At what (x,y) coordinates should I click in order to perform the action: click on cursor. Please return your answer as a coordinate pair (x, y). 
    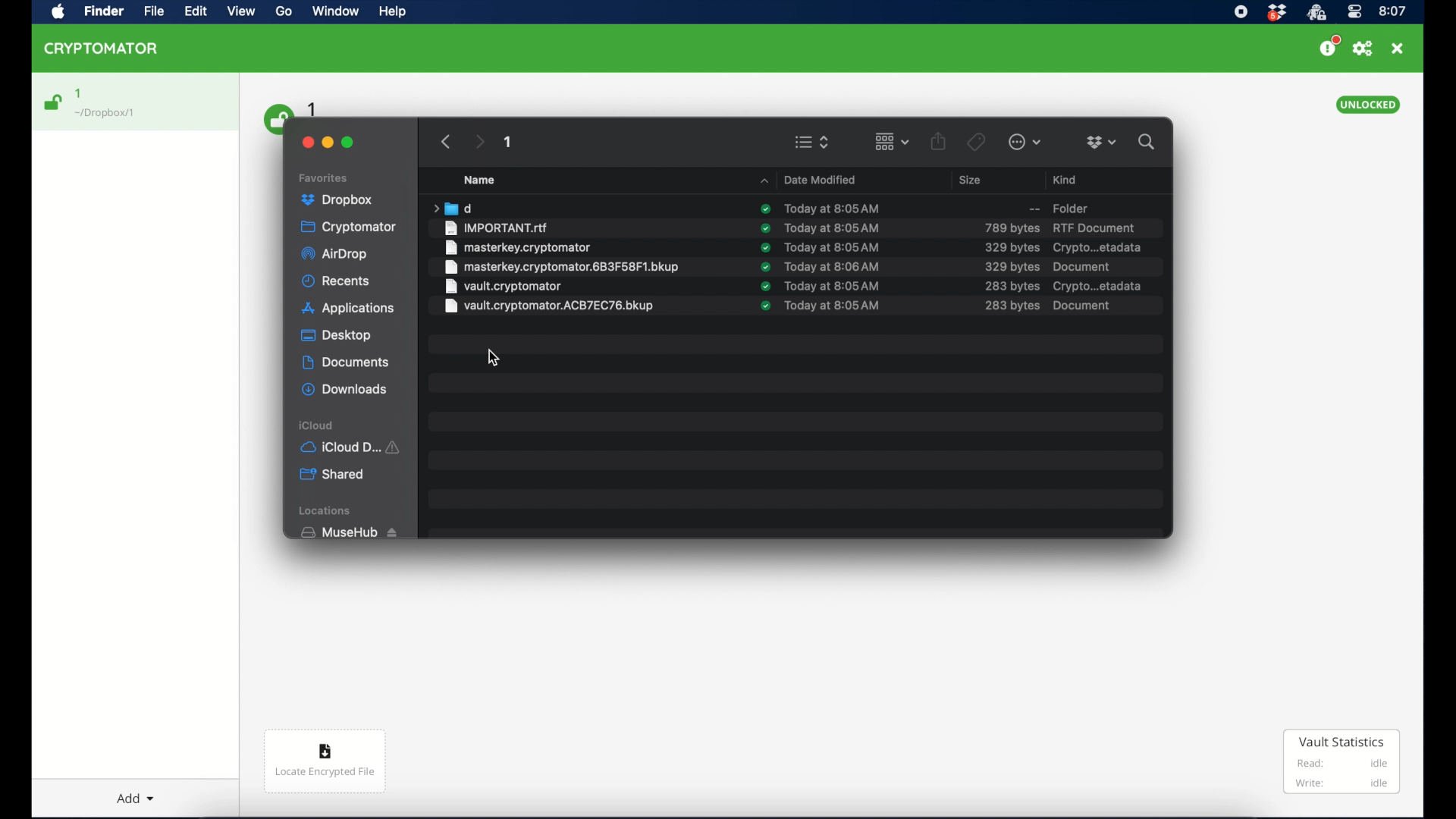
    Looking at the image, I should click on (496, 358).